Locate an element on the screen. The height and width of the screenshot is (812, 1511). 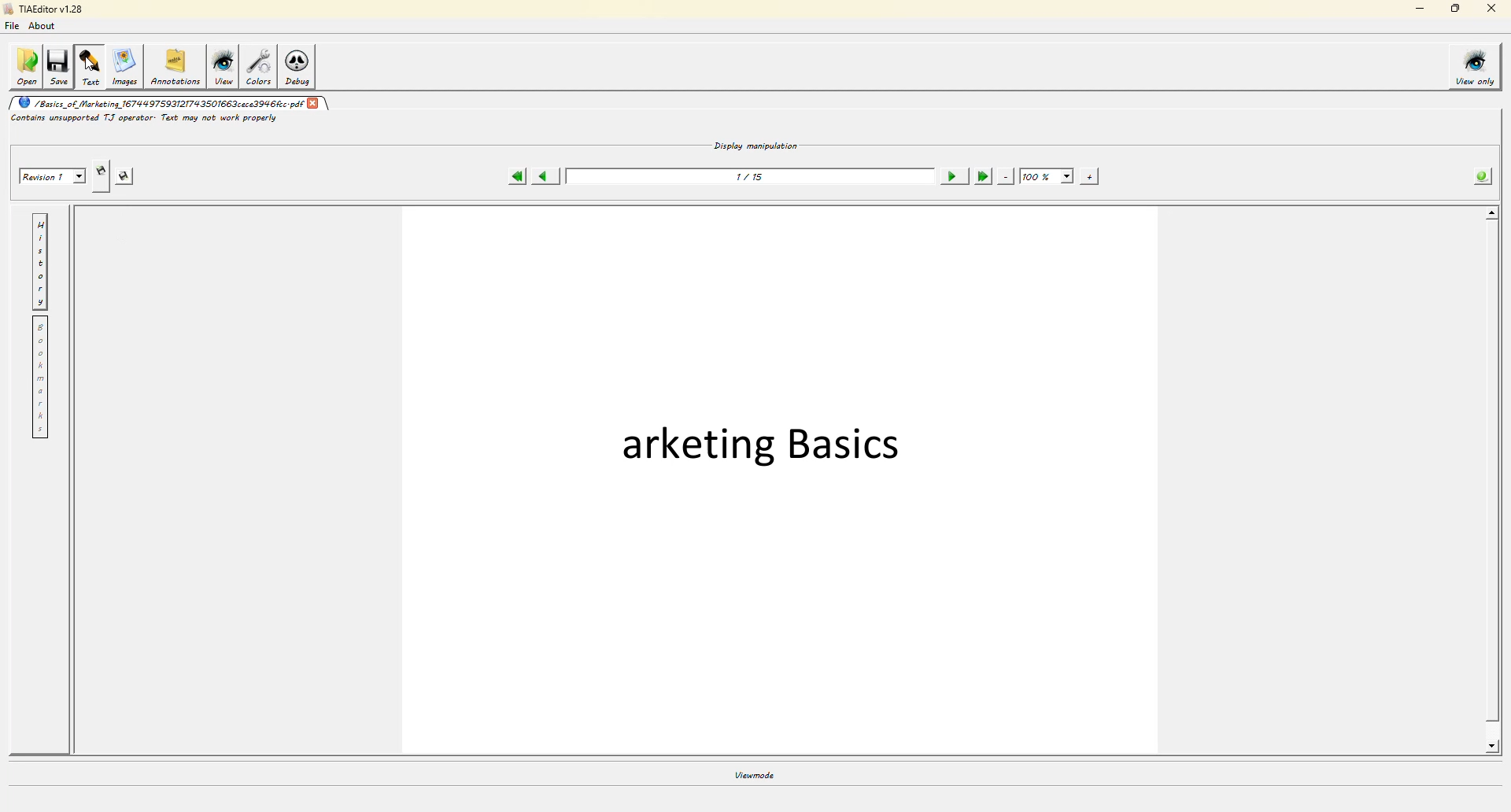
zoom out is located at coordinates (1007, 177).